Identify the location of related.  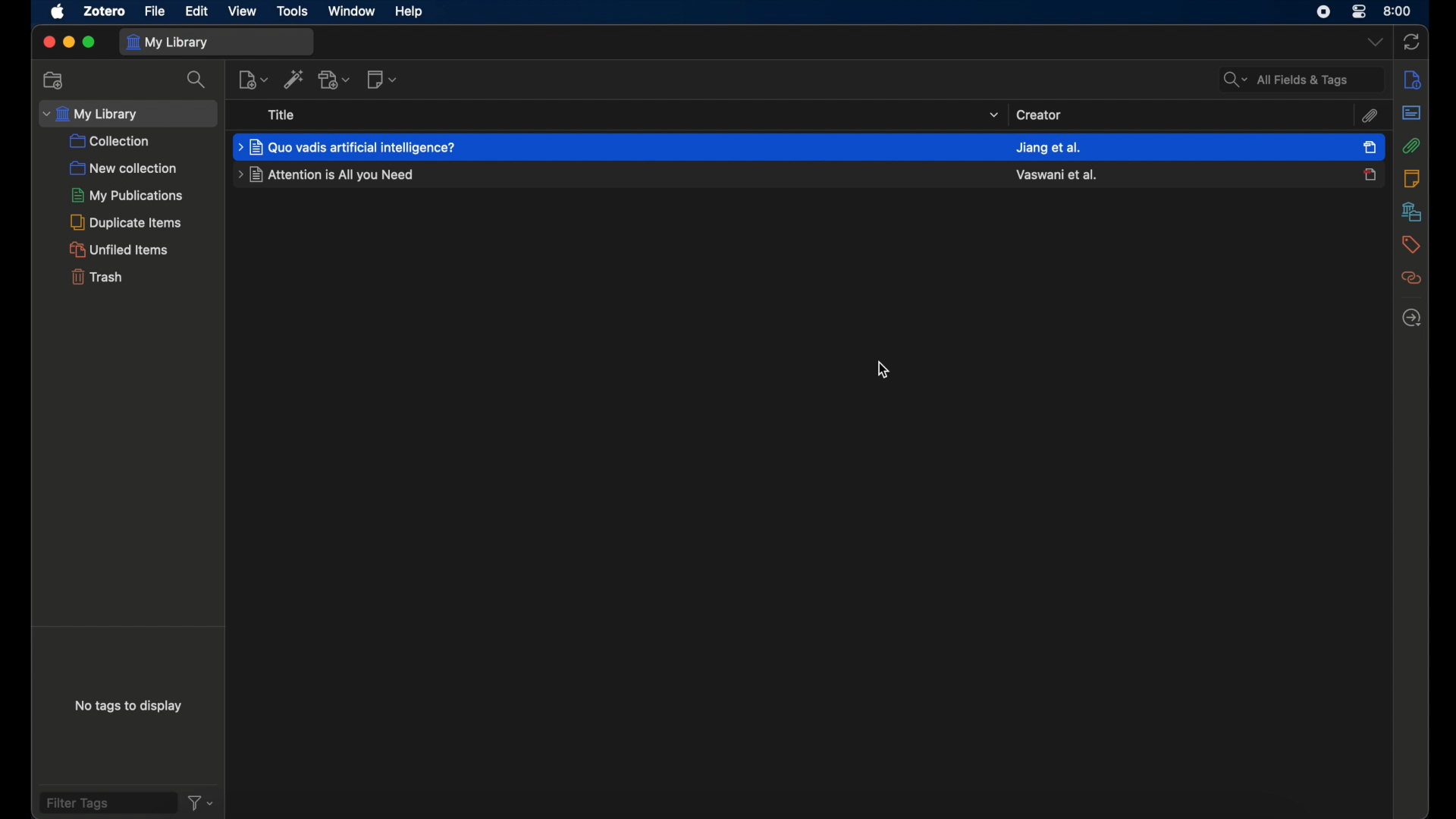
(1410, 279).